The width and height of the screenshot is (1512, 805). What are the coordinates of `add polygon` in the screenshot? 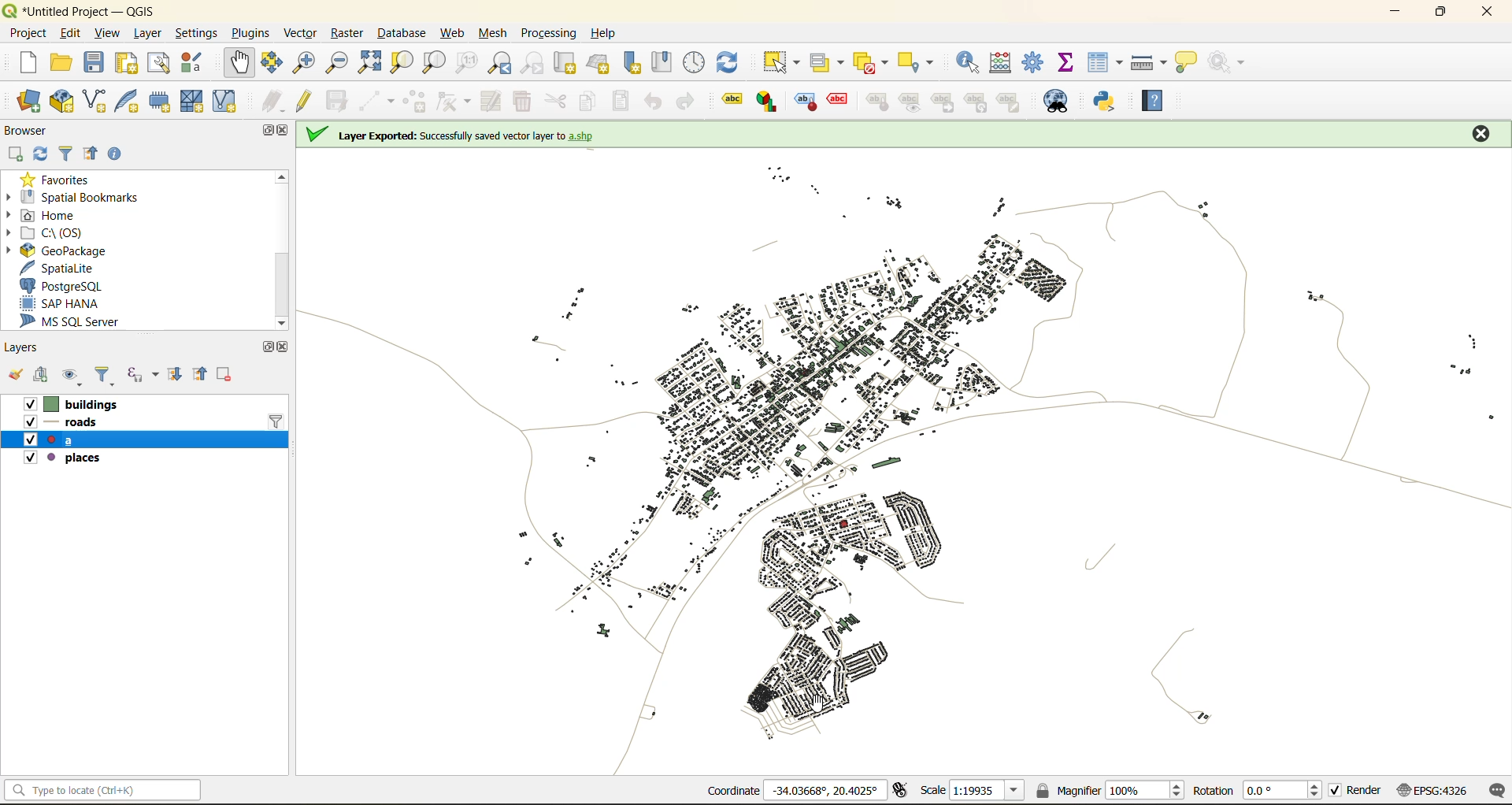 It's located at (416, 102).